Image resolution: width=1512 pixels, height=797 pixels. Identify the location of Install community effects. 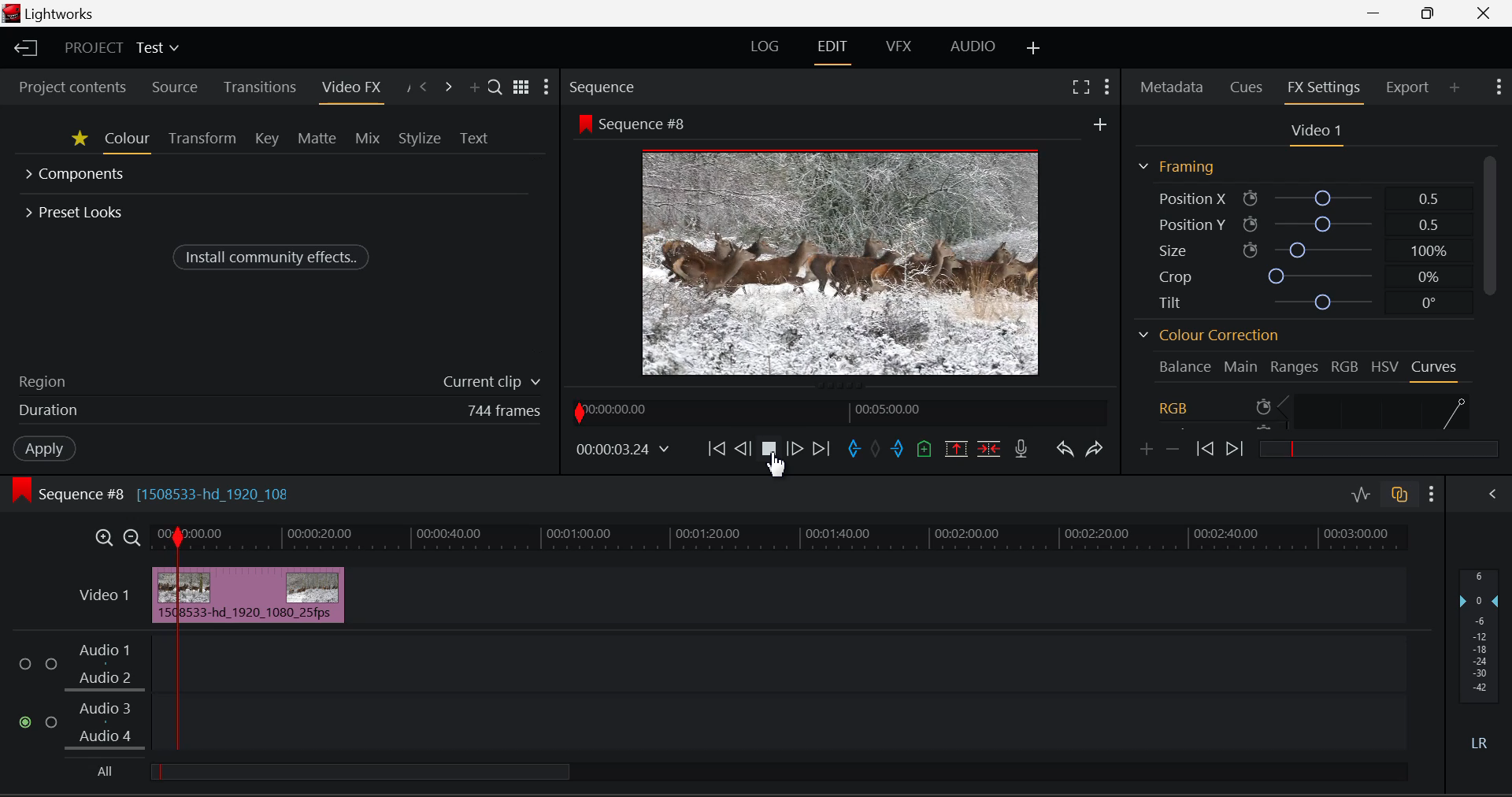
(273, 256).